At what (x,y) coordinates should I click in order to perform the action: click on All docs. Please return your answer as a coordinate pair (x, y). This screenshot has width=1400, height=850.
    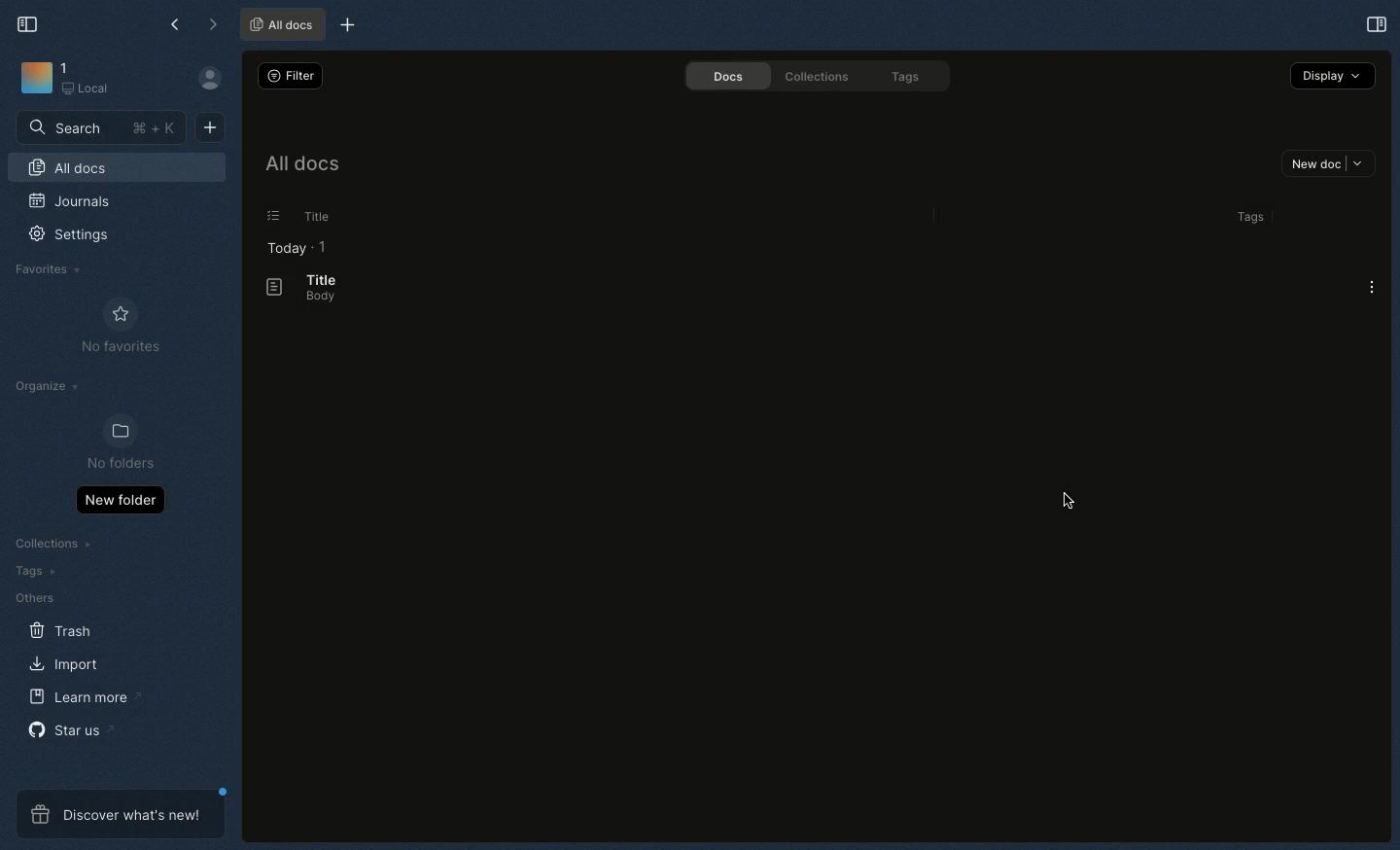
    Looking at the image, I should click on (282, 23).